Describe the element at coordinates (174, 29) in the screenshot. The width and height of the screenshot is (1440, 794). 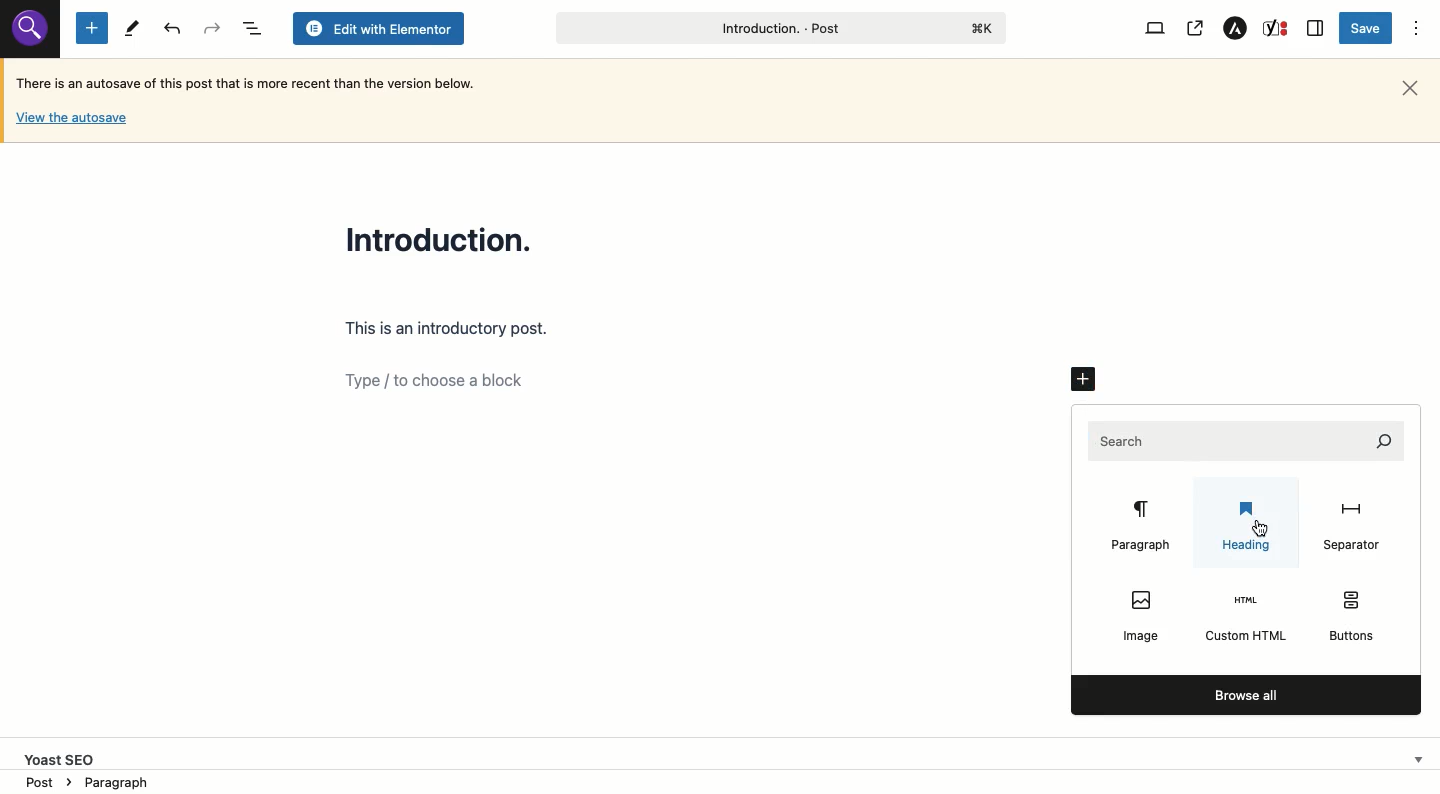
I see `Redo` at that location.